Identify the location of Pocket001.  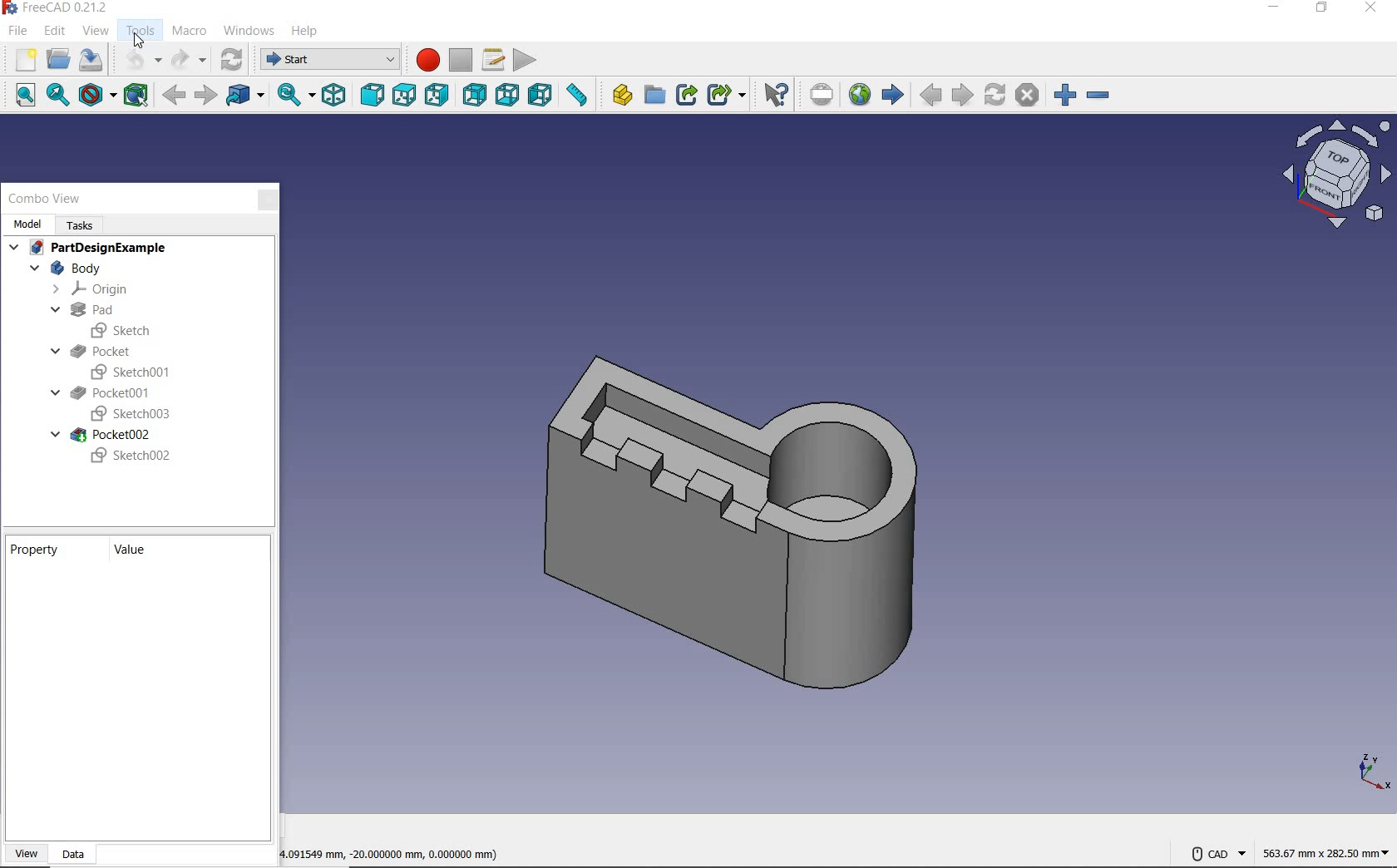
(101, 393).